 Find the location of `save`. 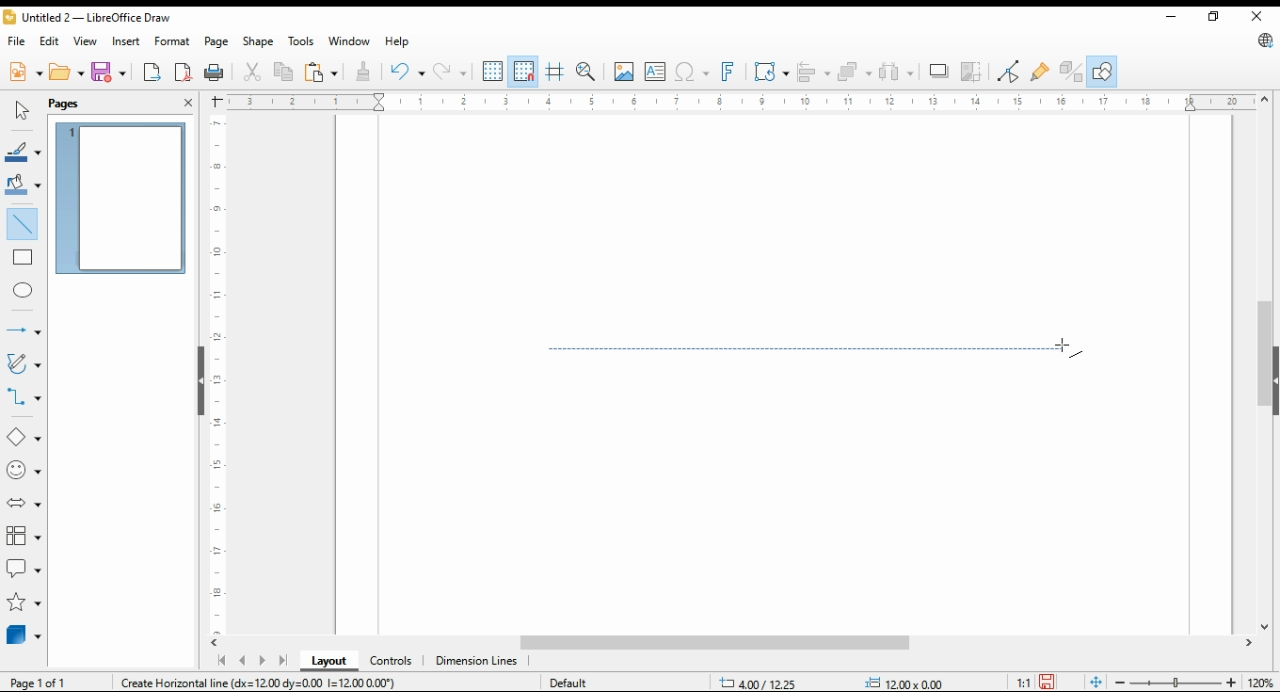

save is located at coordinates (1046, 682).